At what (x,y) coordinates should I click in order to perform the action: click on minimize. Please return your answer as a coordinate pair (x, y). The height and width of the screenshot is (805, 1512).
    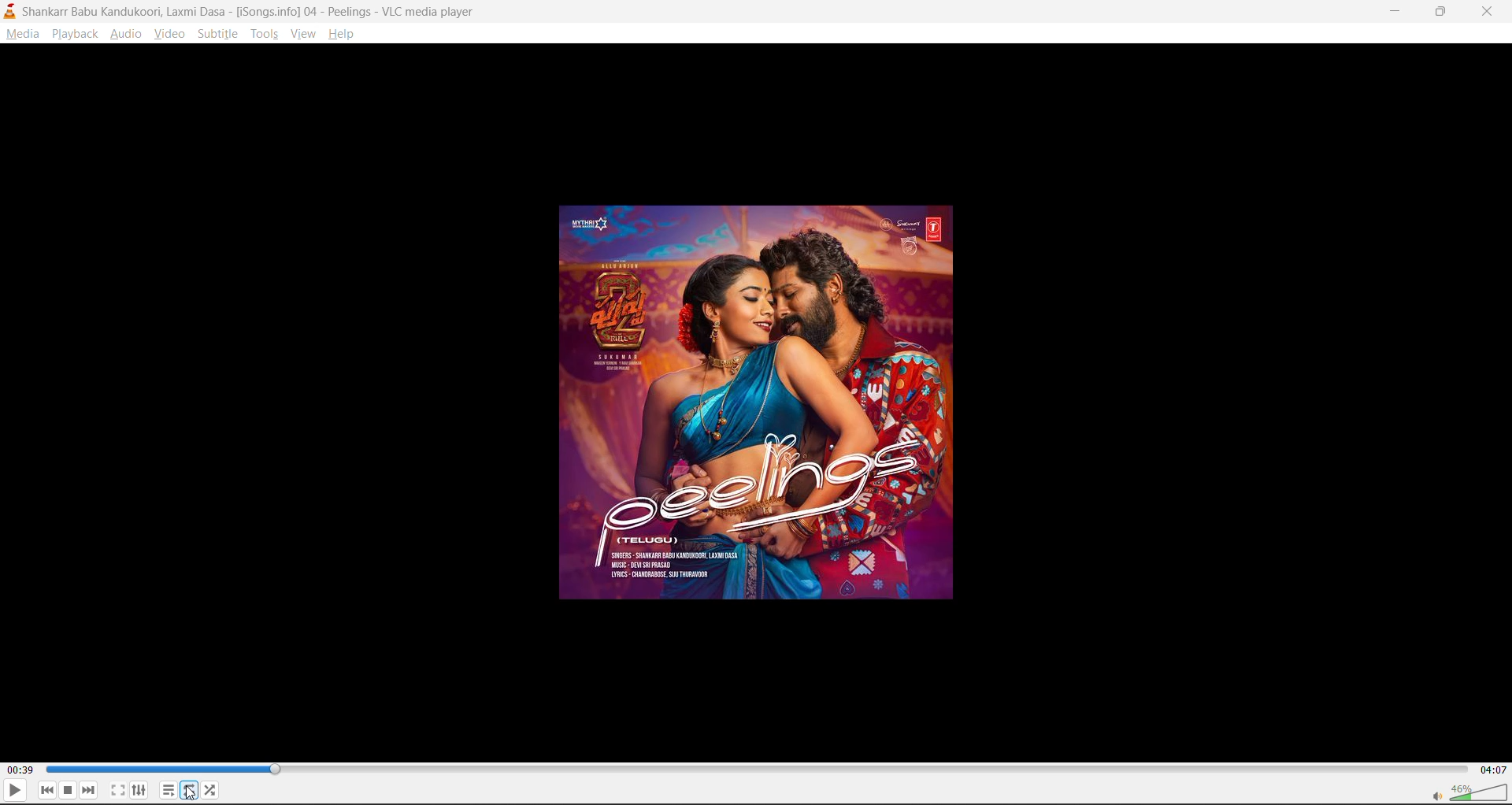
    Looking at the image, I should click on (1388, 12).